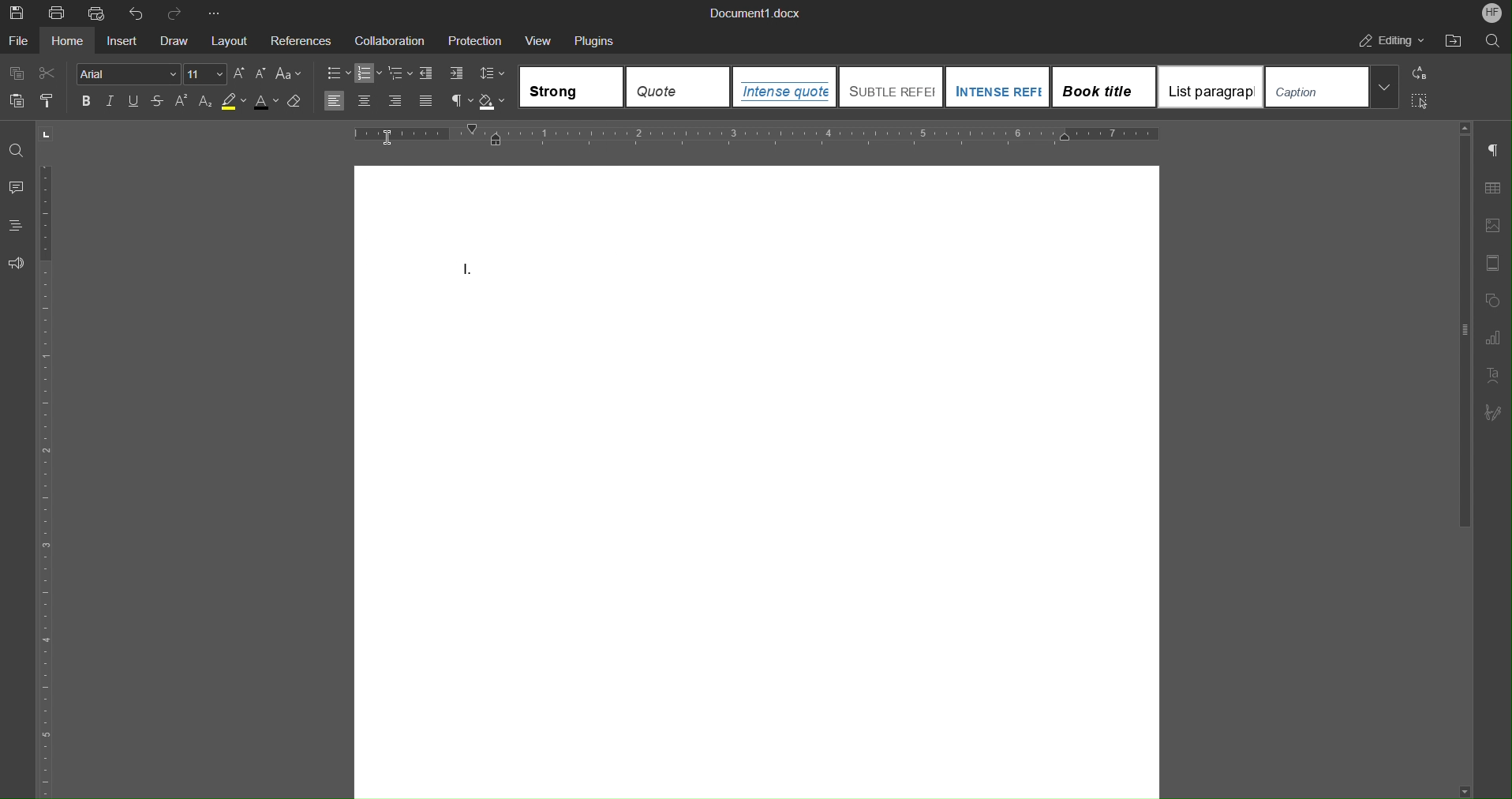 This screenshot has height=799, width=1512. Describe the element at coordinates (241, 73) in the screenshot. I see `Increase Font Size` at that location.